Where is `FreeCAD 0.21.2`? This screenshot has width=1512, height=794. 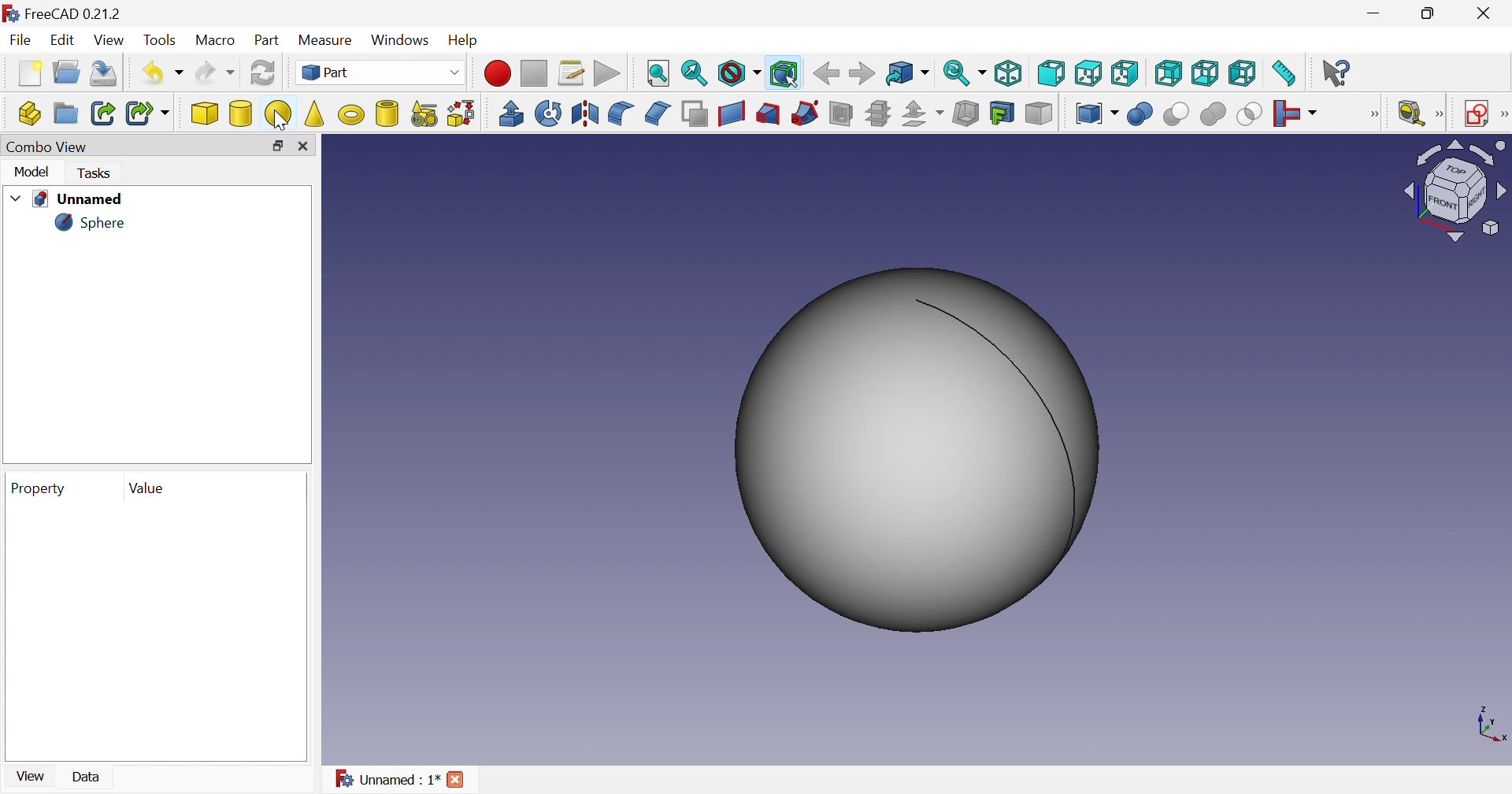
FreeCAD 0.21.2 is located at coordinates (73, 13).